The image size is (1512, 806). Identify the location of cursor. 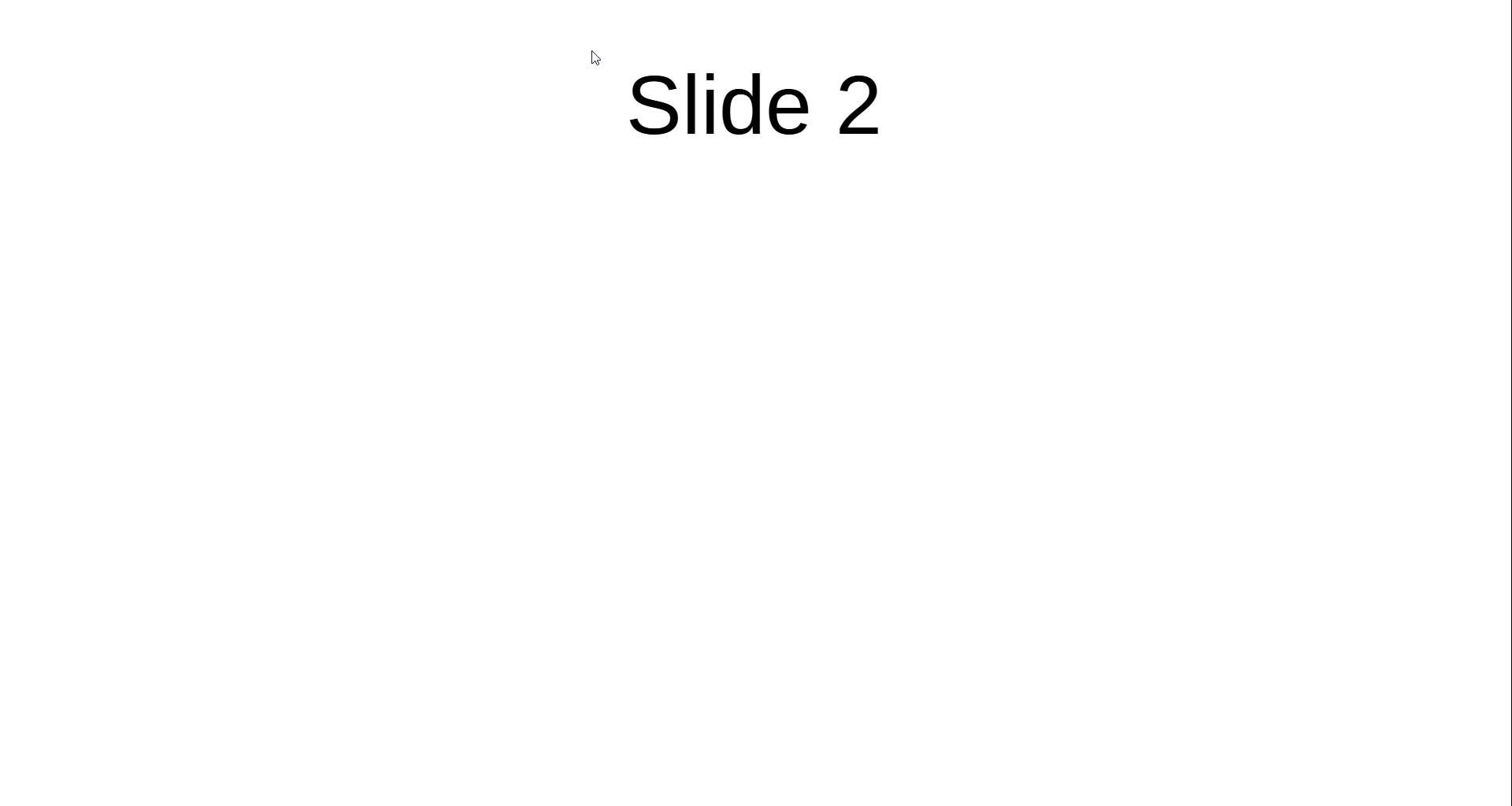
(597, 59).